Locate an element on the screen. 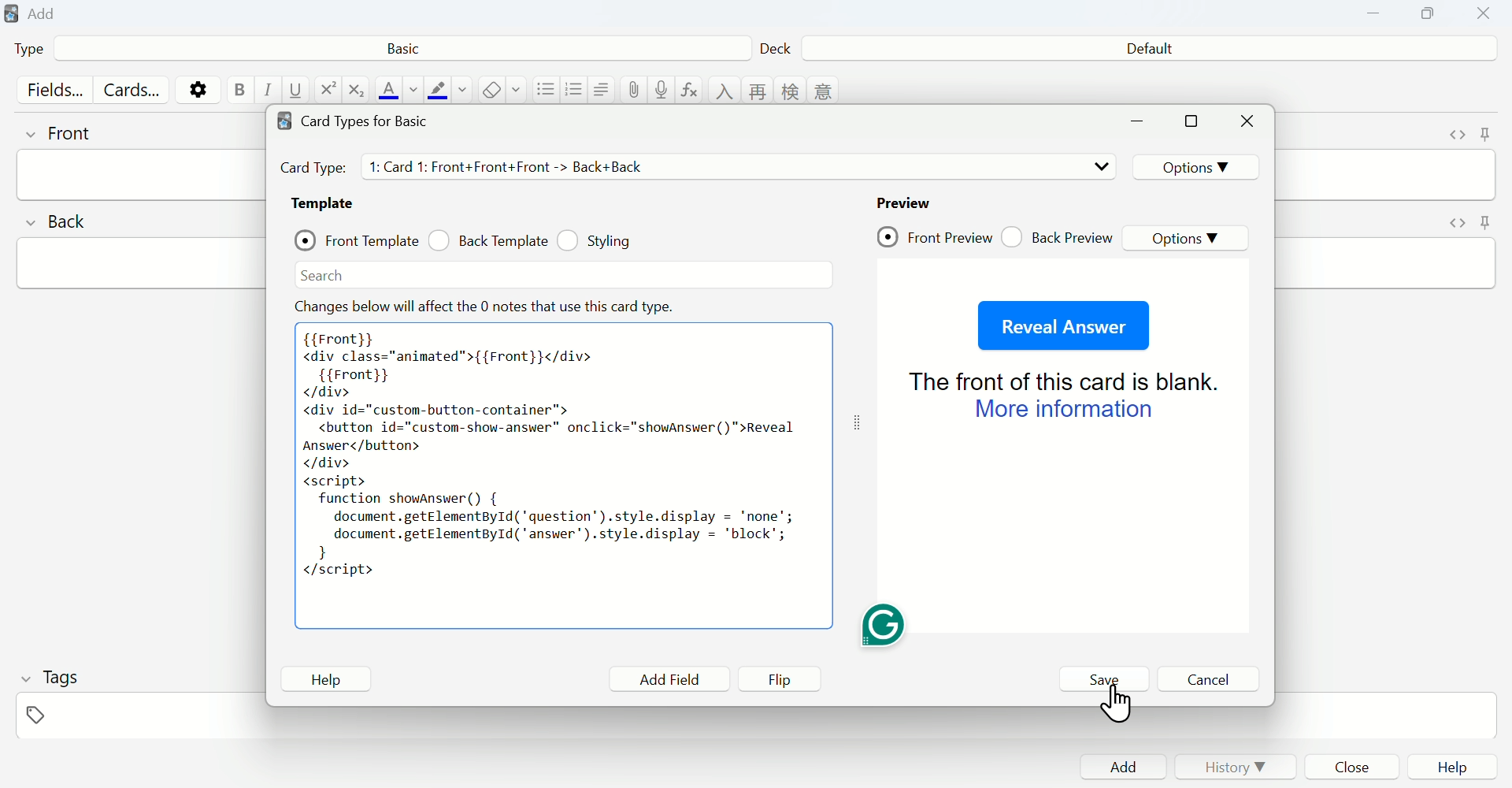  subscript is located at coordinates (357, 90).